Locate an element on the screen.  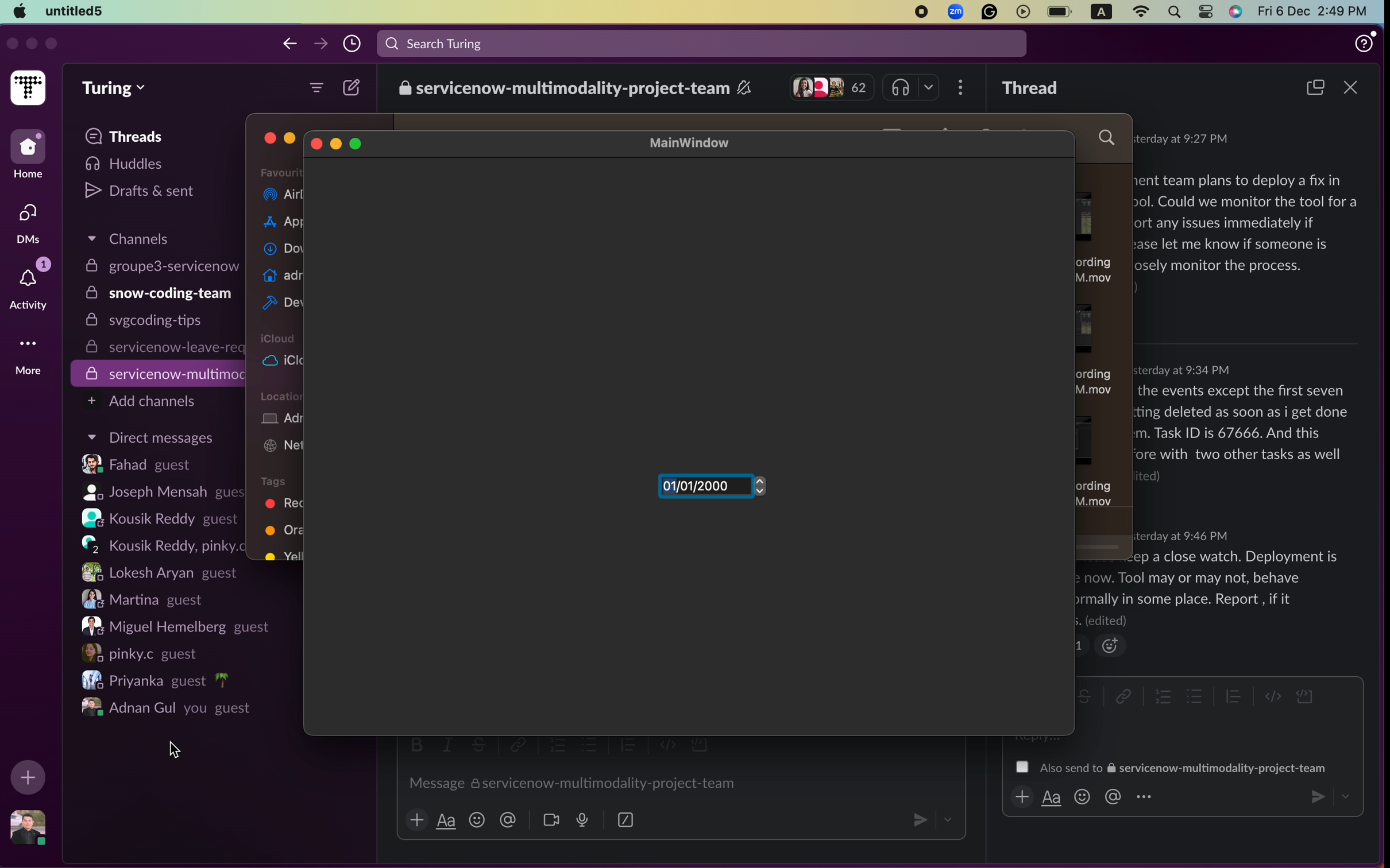
servicenow-leave is located at coordinates (161, 348).